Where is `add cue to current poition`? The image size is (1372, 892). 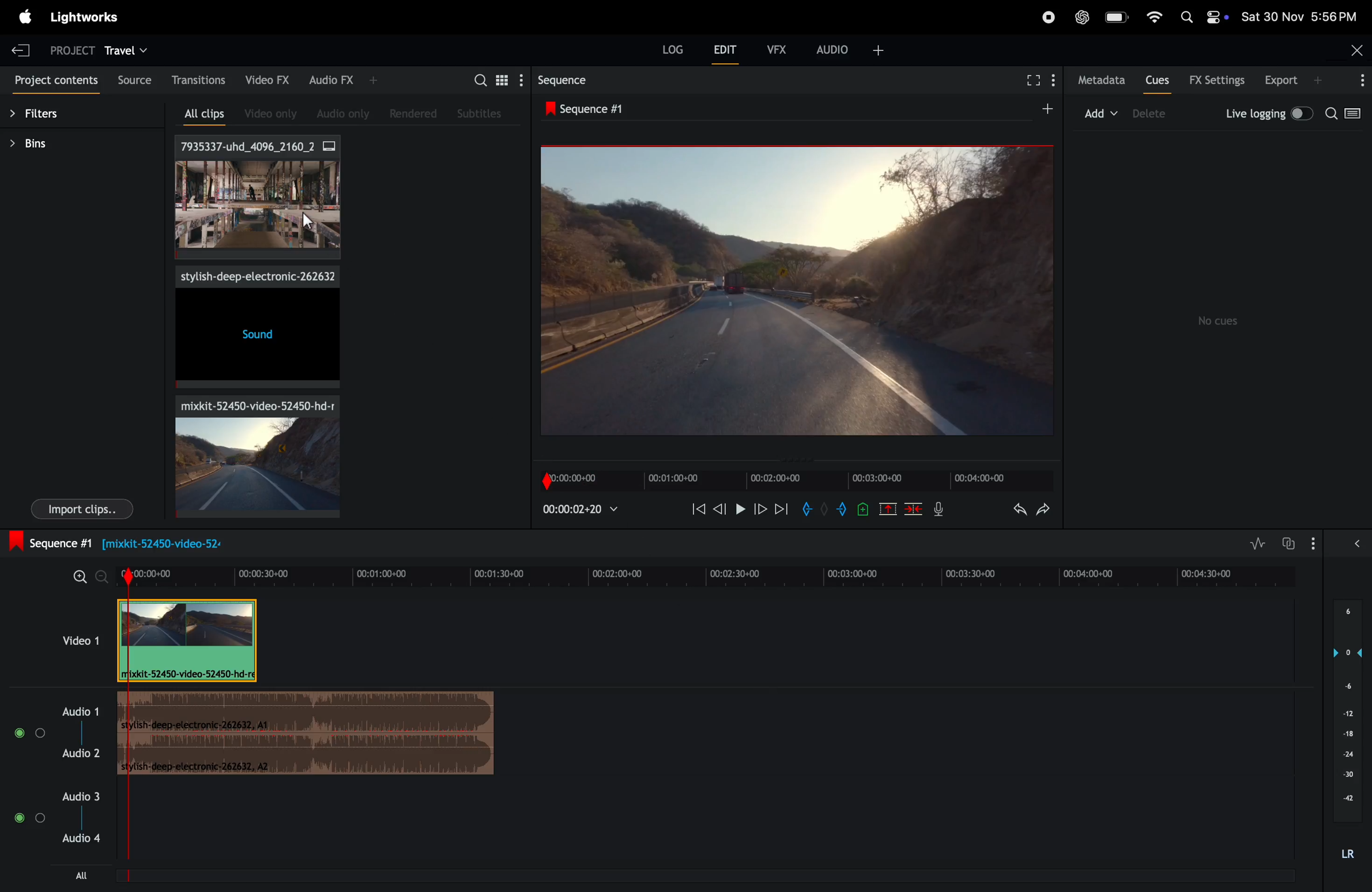 add cue to current poition is located at coordinates (863, 509).